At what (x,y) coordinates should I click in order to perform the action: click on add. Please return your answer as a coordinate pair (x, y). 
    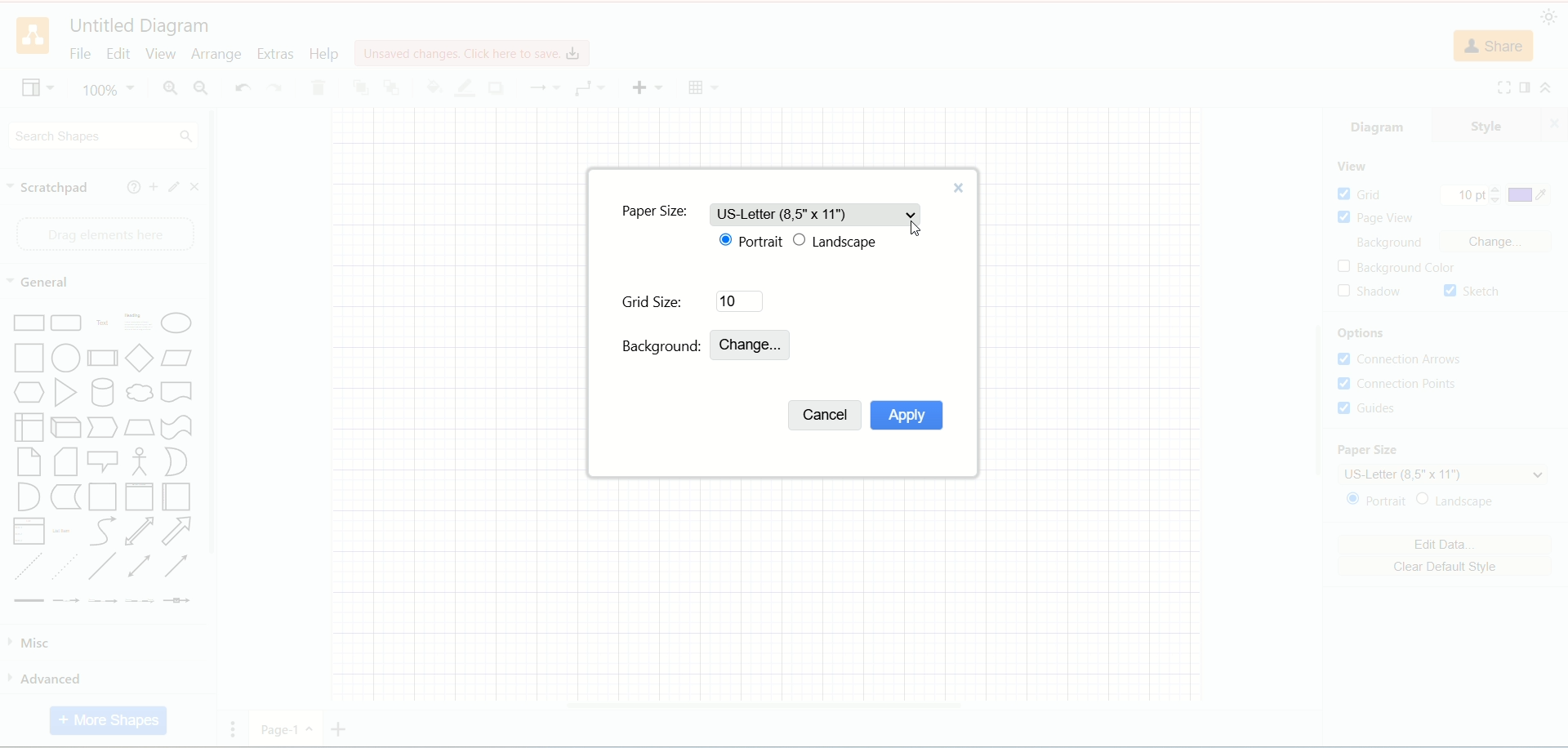
    Looking at the image, I should click on (150, 186).